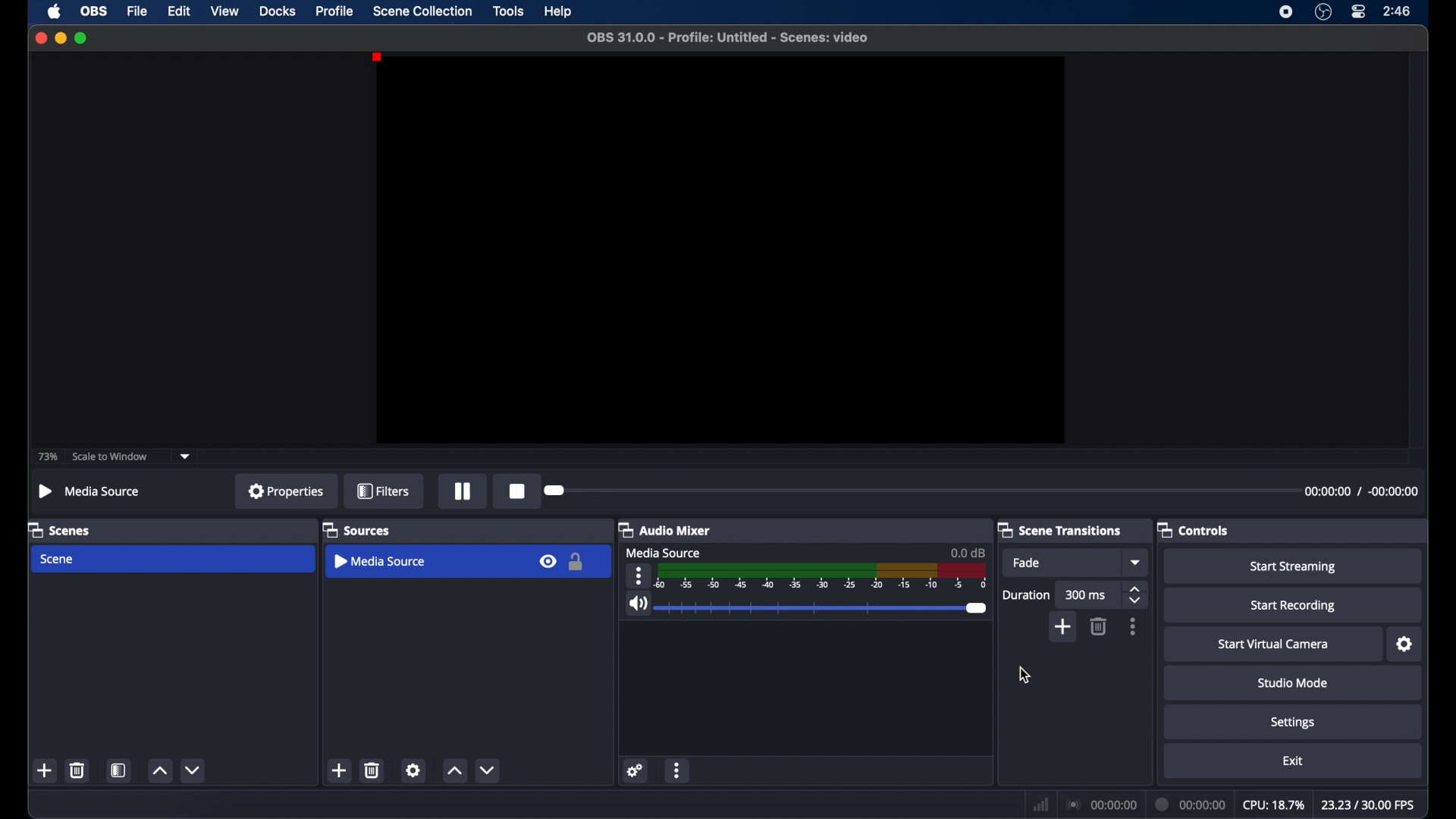 This screenshot has height=819, width=1456. What do you see at coordinates (1027, 596) in the screenshot?
I see `Duration` at bounding box center [1027, 596].